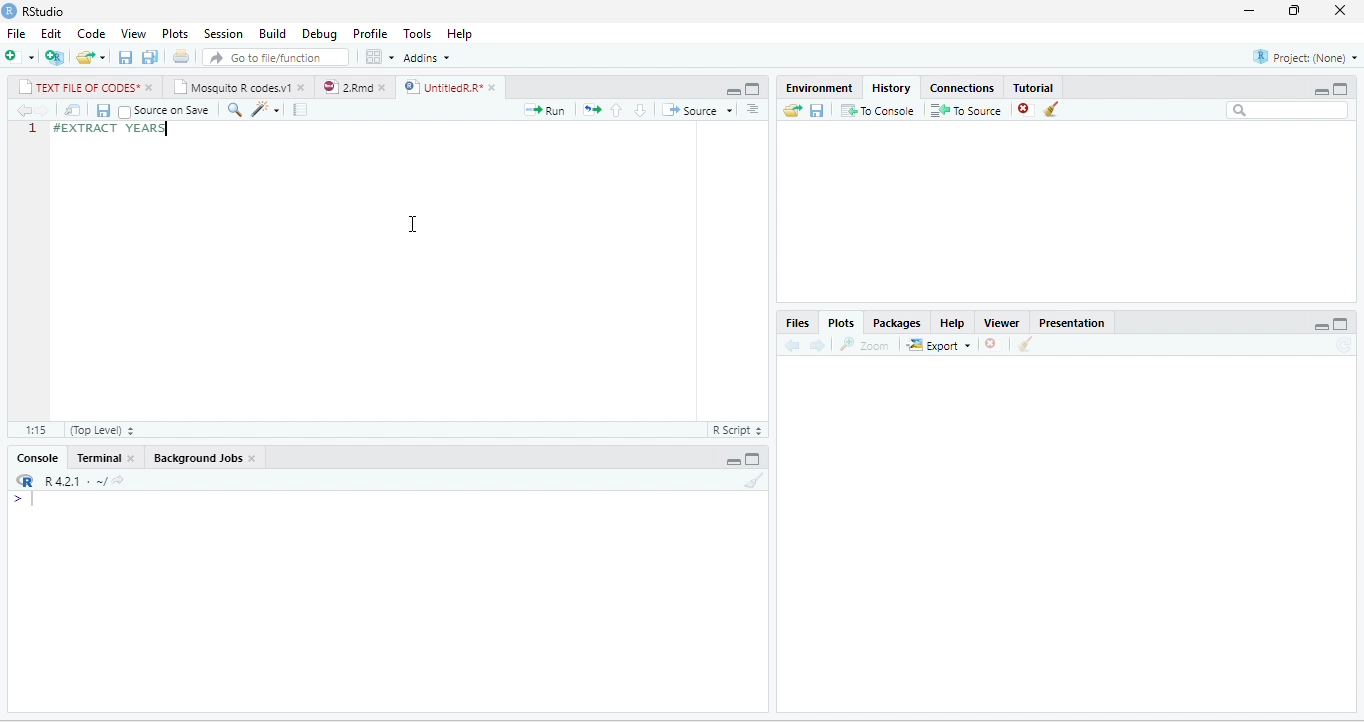 This screenshot has width=1364, height=722. Describe the element at coordinates (151, 87) in the screenshot. I see `close` at that location.